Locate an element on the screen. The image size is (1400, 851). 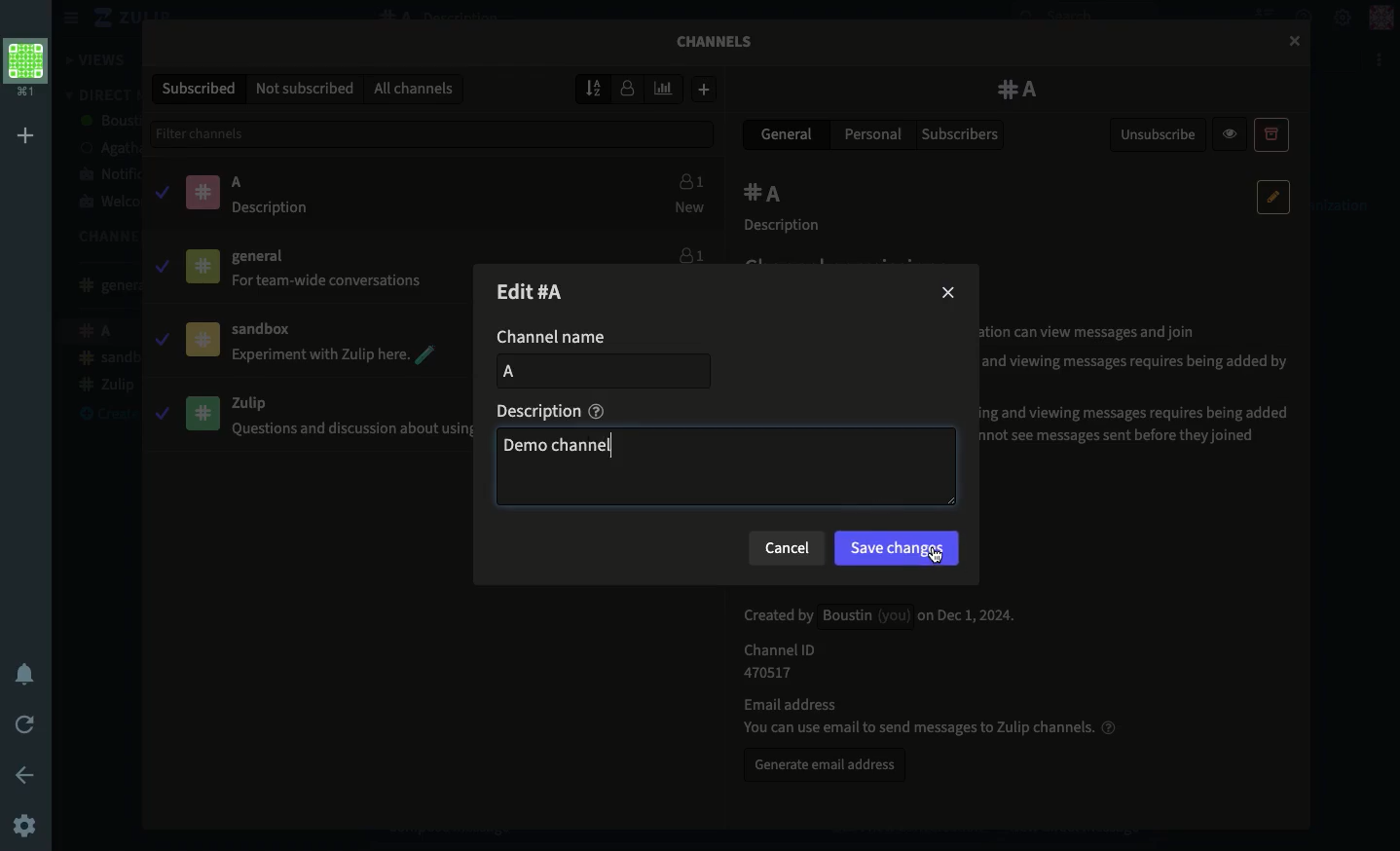
Subscribed is located at coordinates (202, 89).